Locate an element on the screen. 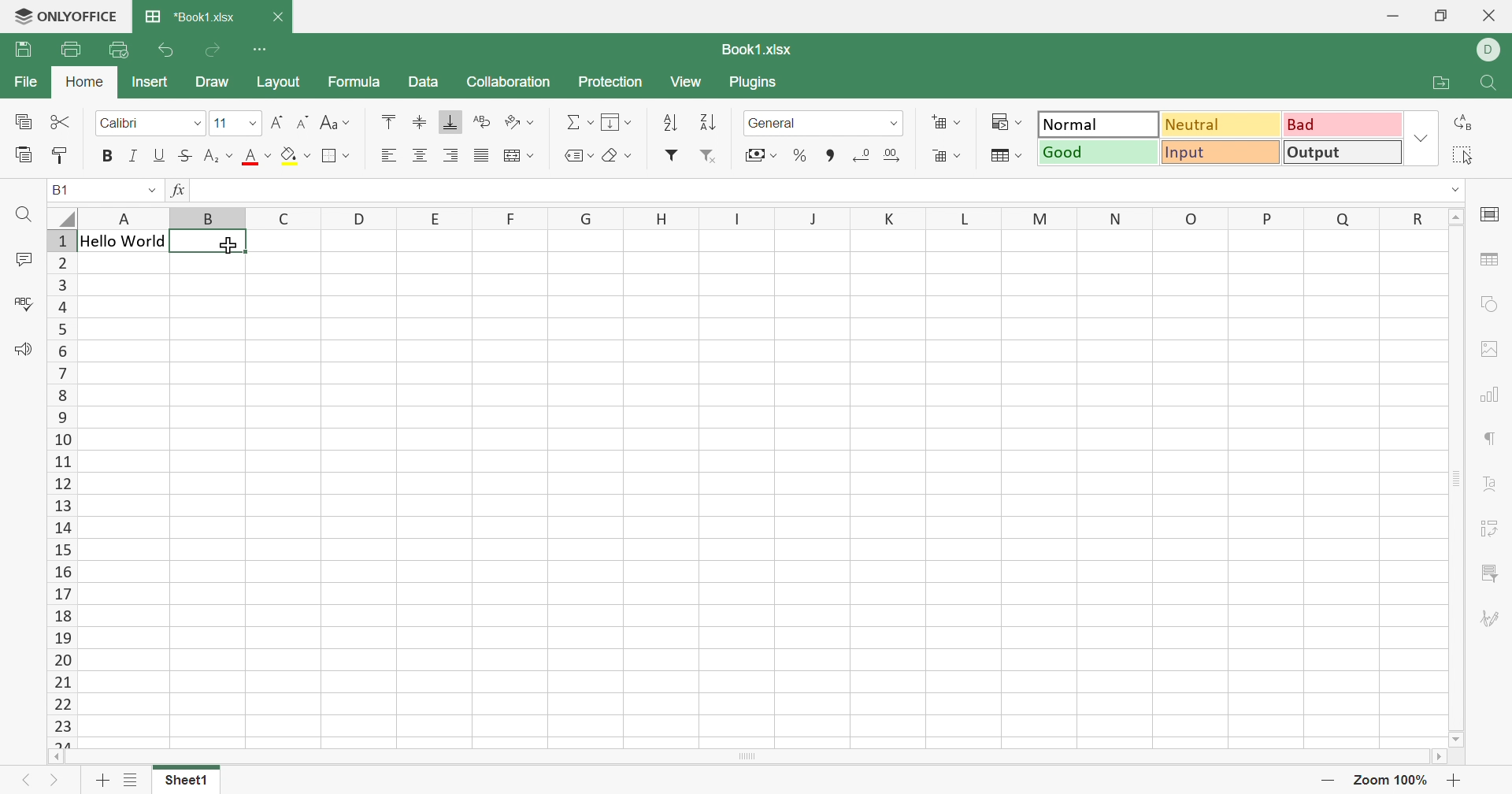 The image size is (1512, 794). Copy is located at coordinates (26, 121).